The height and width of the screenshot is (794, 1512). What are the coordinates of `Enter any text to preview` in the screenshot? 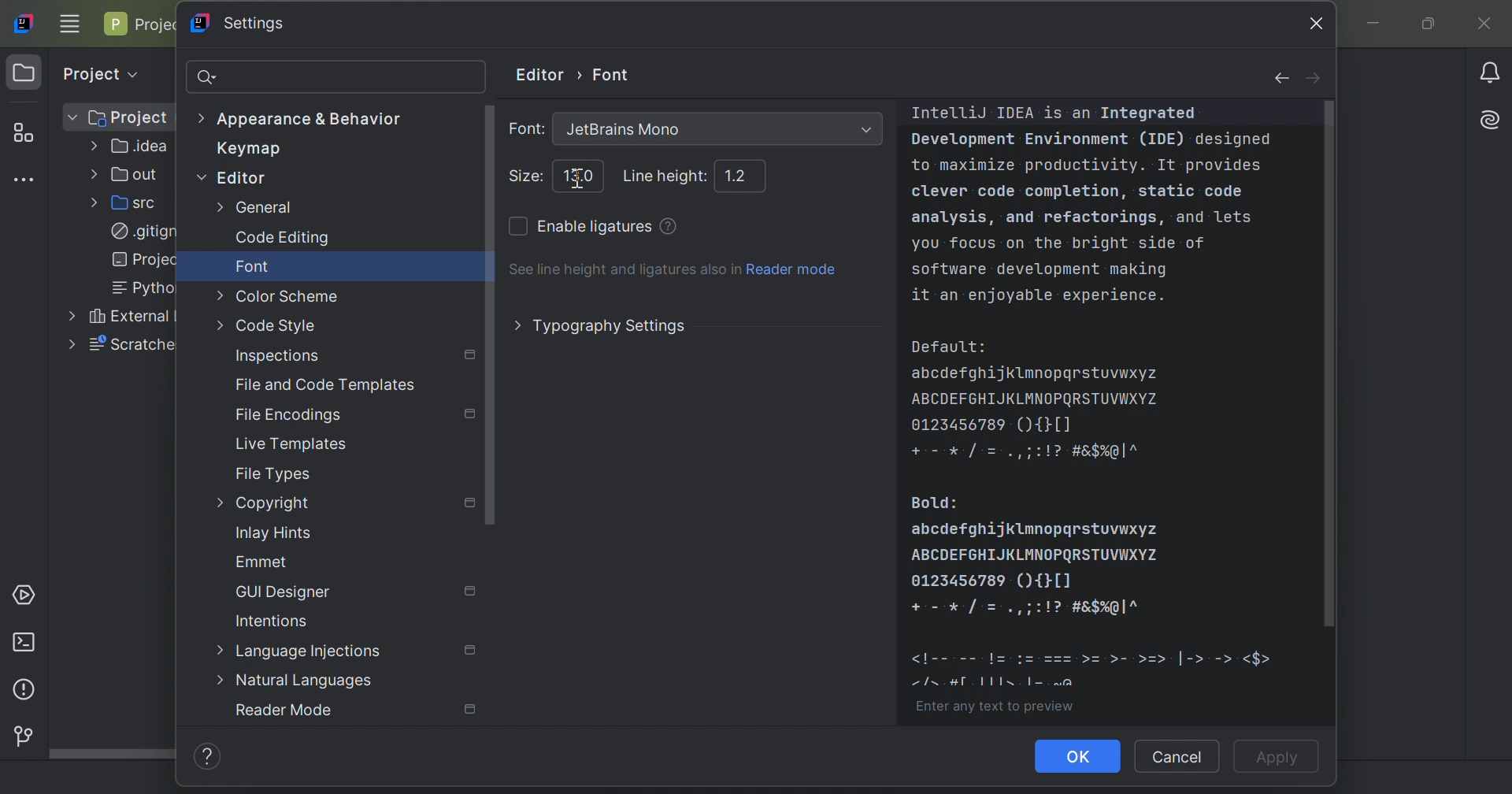 It's located at (992, 710).